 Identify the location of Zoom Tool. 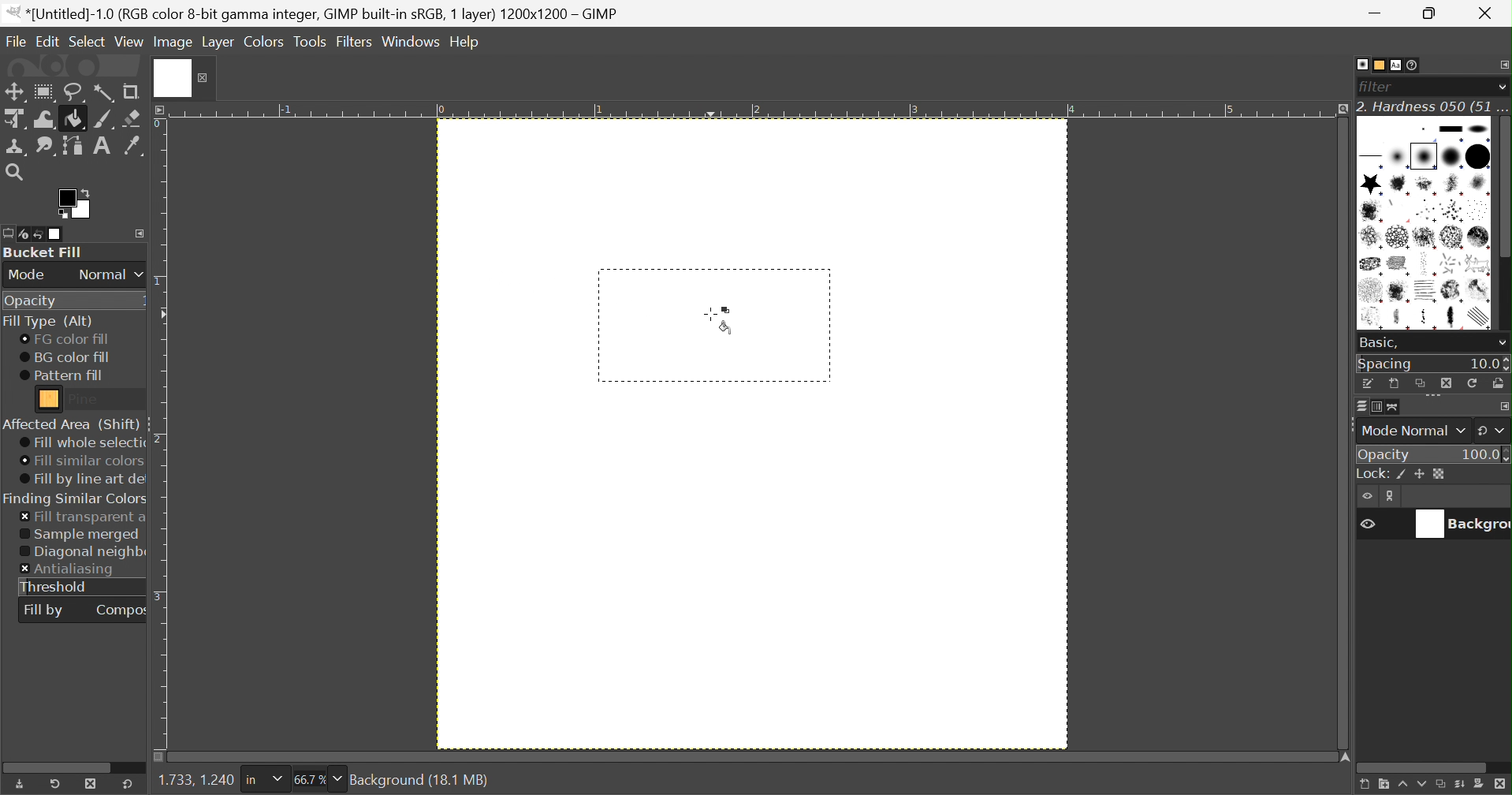
(13, 172).